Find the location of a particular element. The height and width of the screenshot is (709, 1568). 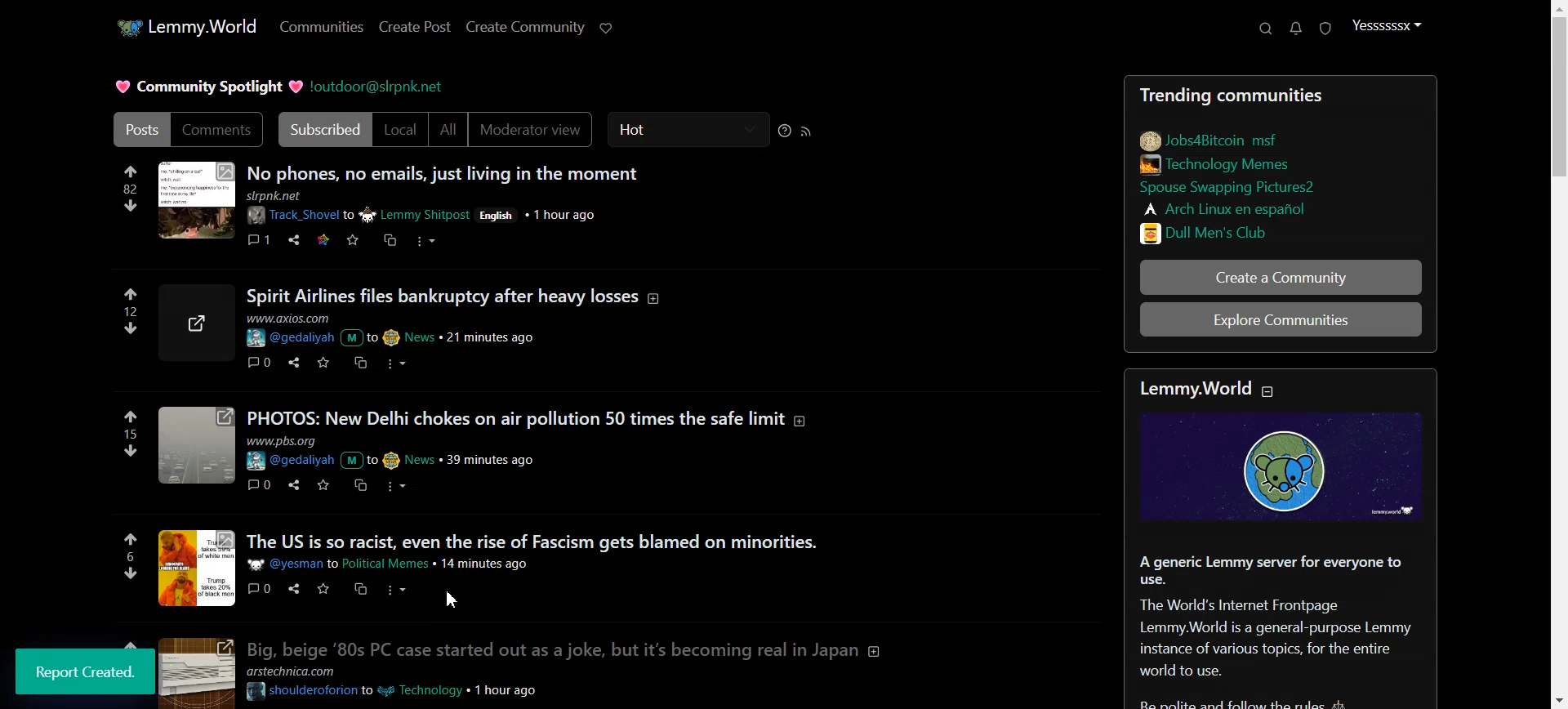

post  is located at coordinates (459, 295).